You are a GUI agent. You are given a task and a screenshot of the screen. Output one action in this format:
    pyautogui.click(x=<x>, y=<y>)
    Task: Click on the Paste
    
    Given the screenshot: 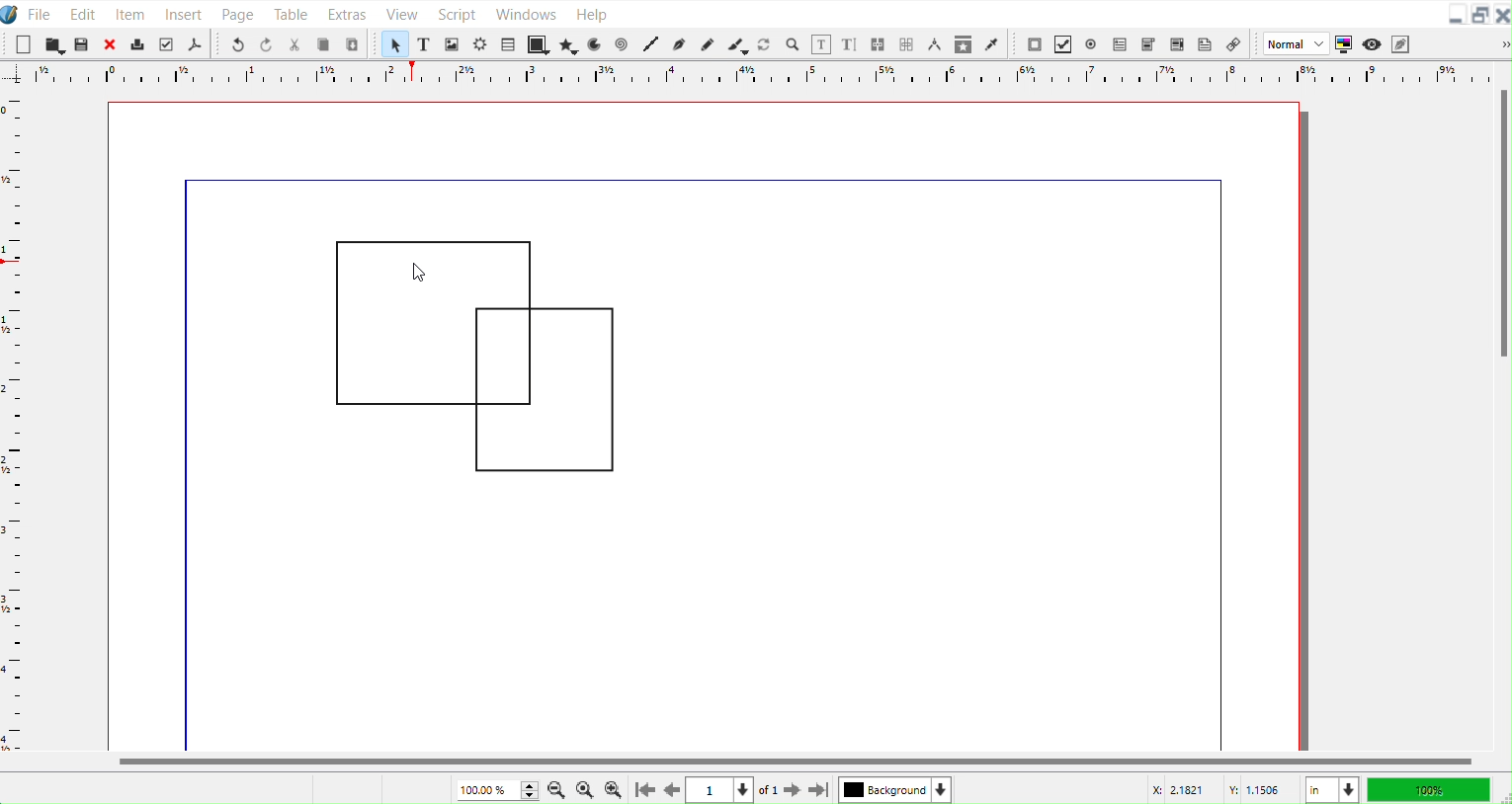 What is the action you would take?
    pyautogui.click(x=354, y=43)
    